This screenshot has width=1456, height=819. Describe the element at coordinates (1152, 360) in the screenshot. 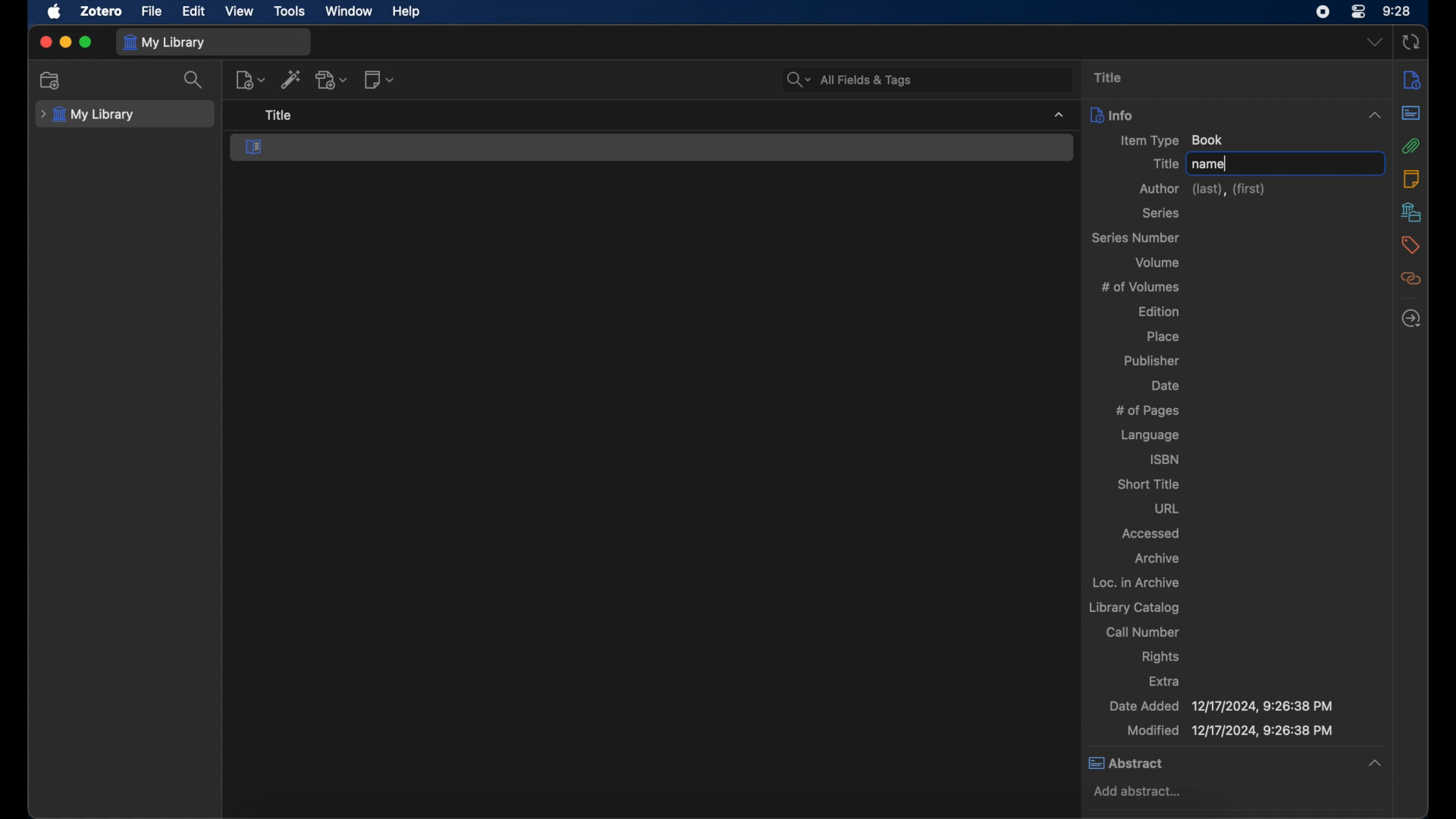

I see `publisher` at that location.